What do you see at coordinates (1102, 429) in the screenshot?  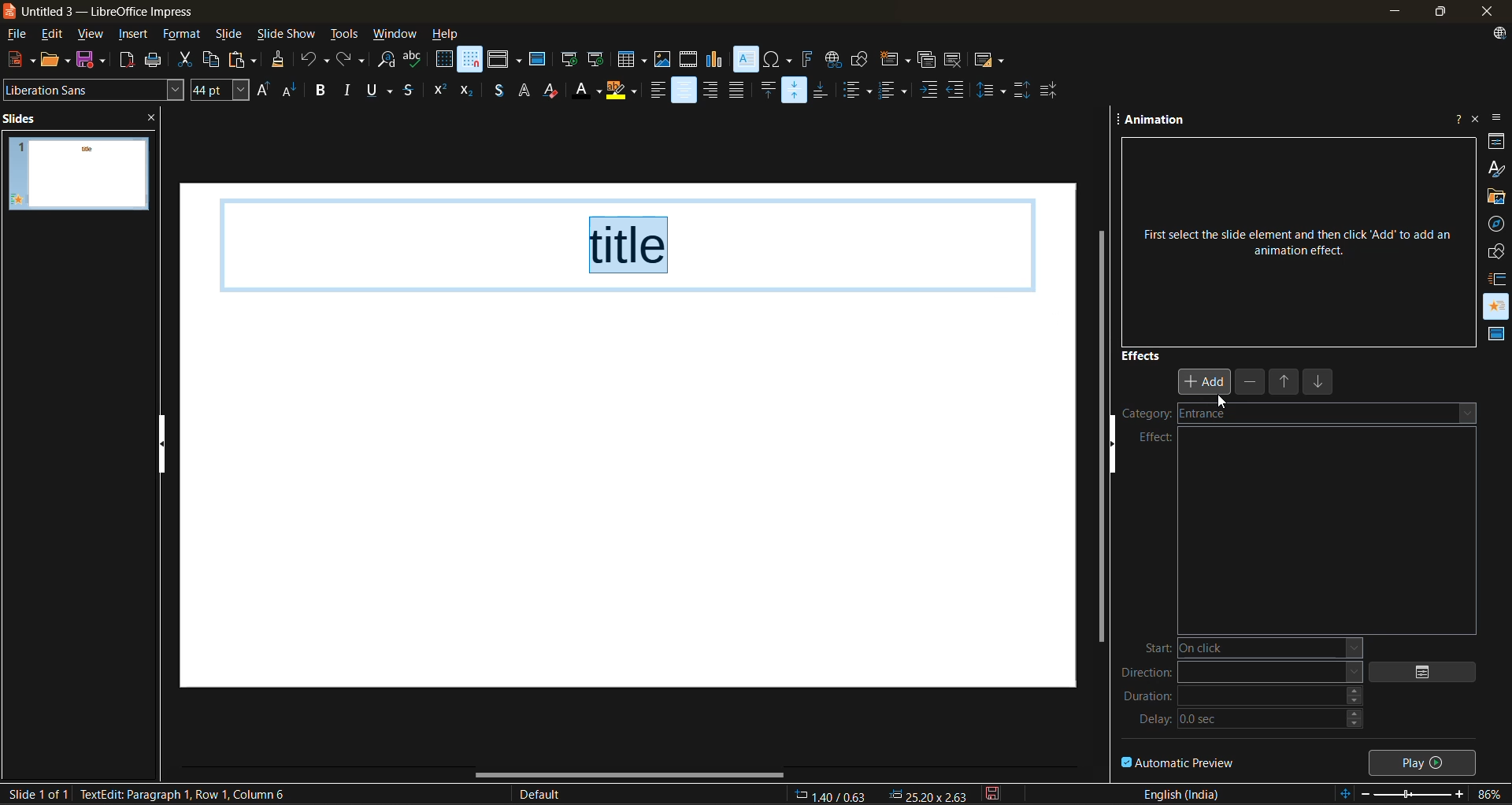 I see `vertical scroll bar` at bounding box center [1102, 429].